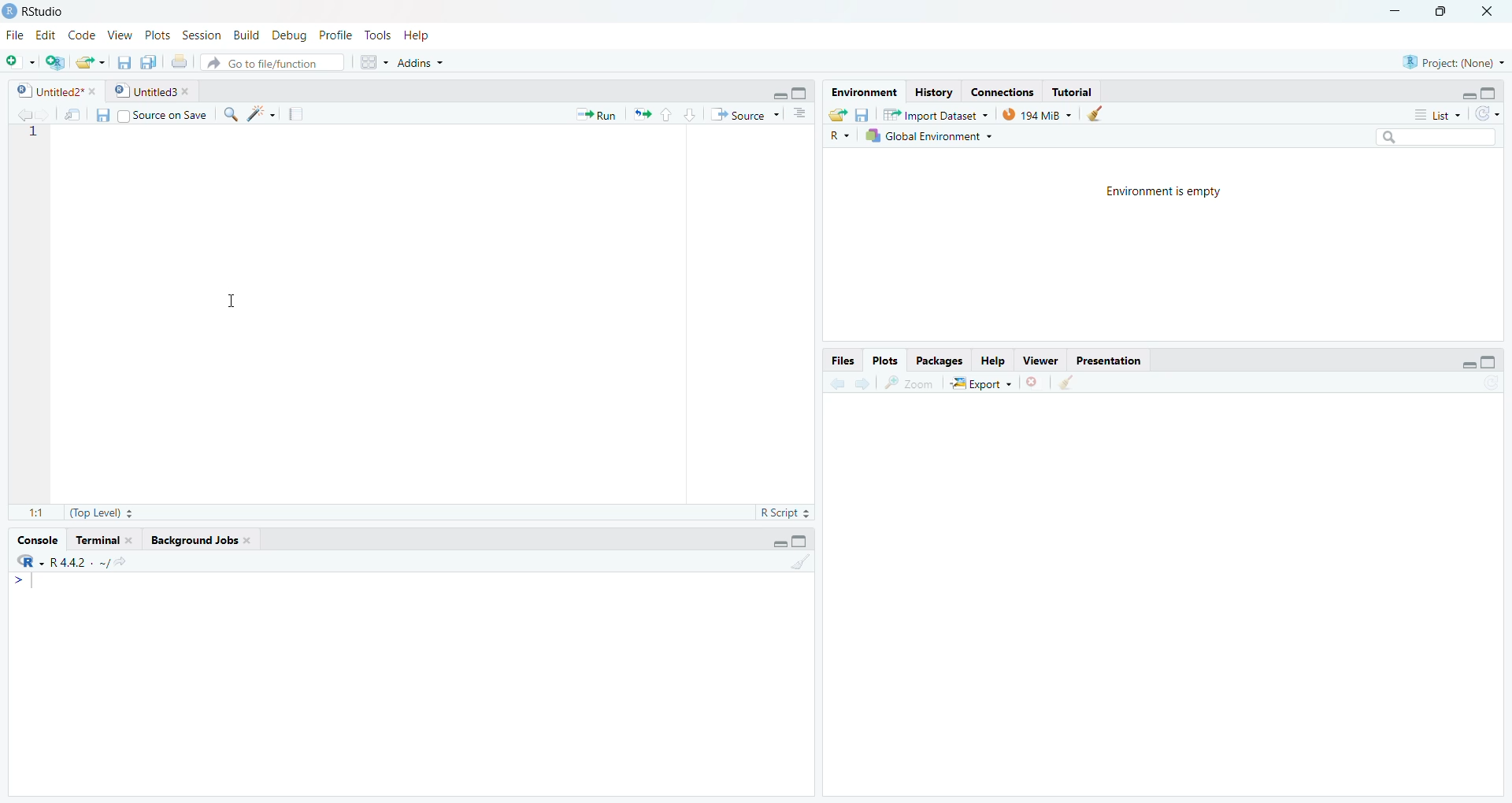  I want to click on Minimize, so click(1468, 366).